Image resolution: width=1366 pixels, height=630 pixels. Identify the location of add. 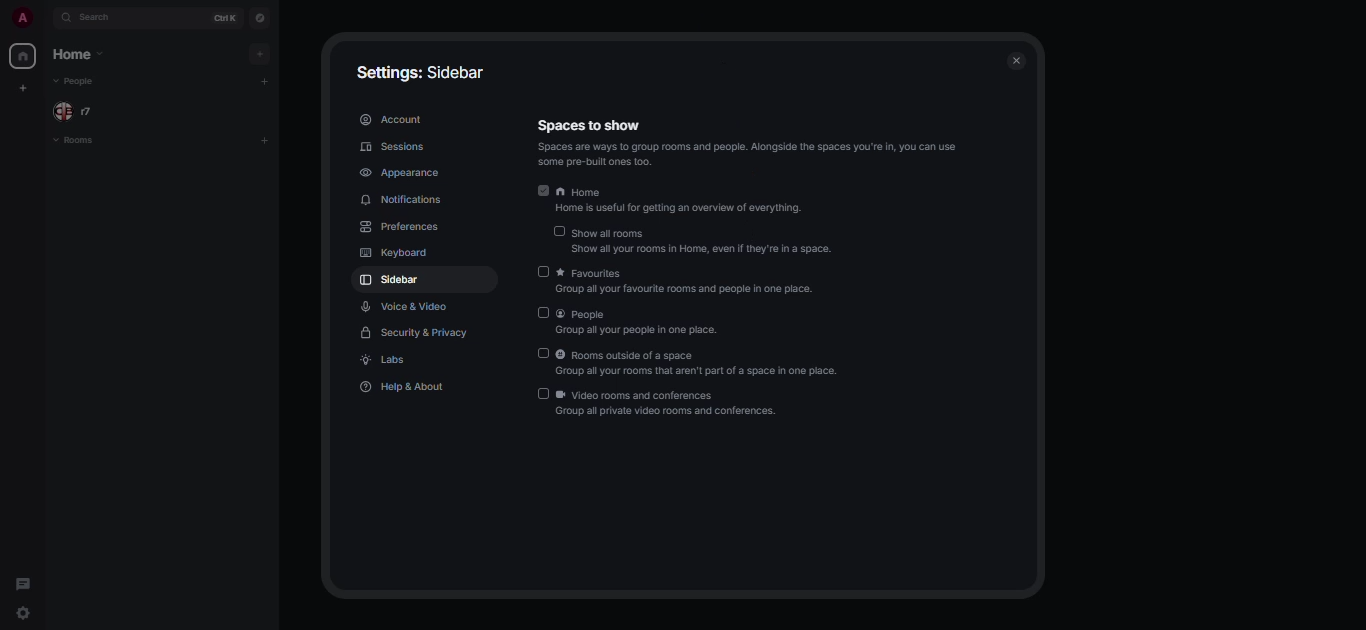
(264, 141).